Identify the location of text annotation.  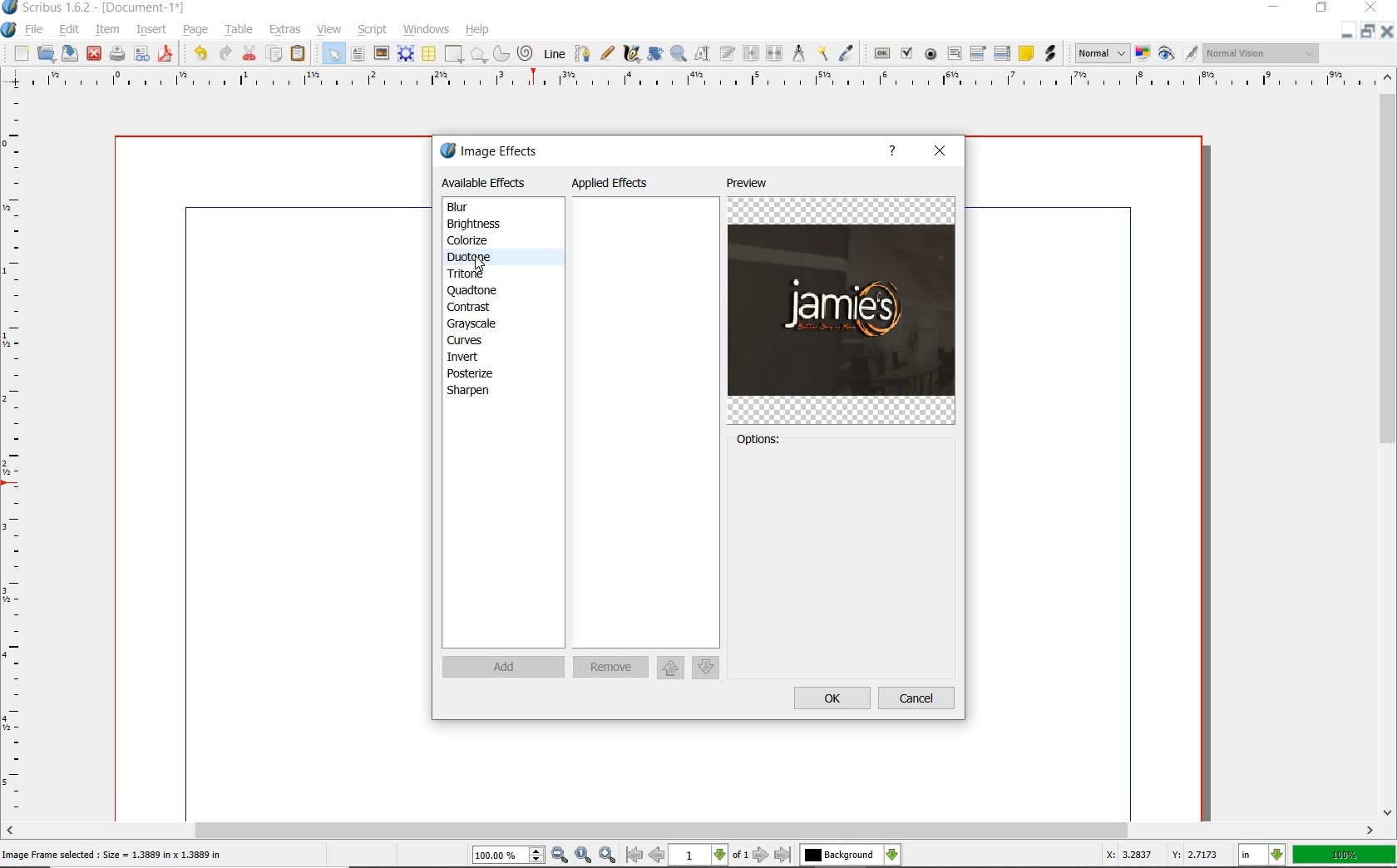
(1027, 54).